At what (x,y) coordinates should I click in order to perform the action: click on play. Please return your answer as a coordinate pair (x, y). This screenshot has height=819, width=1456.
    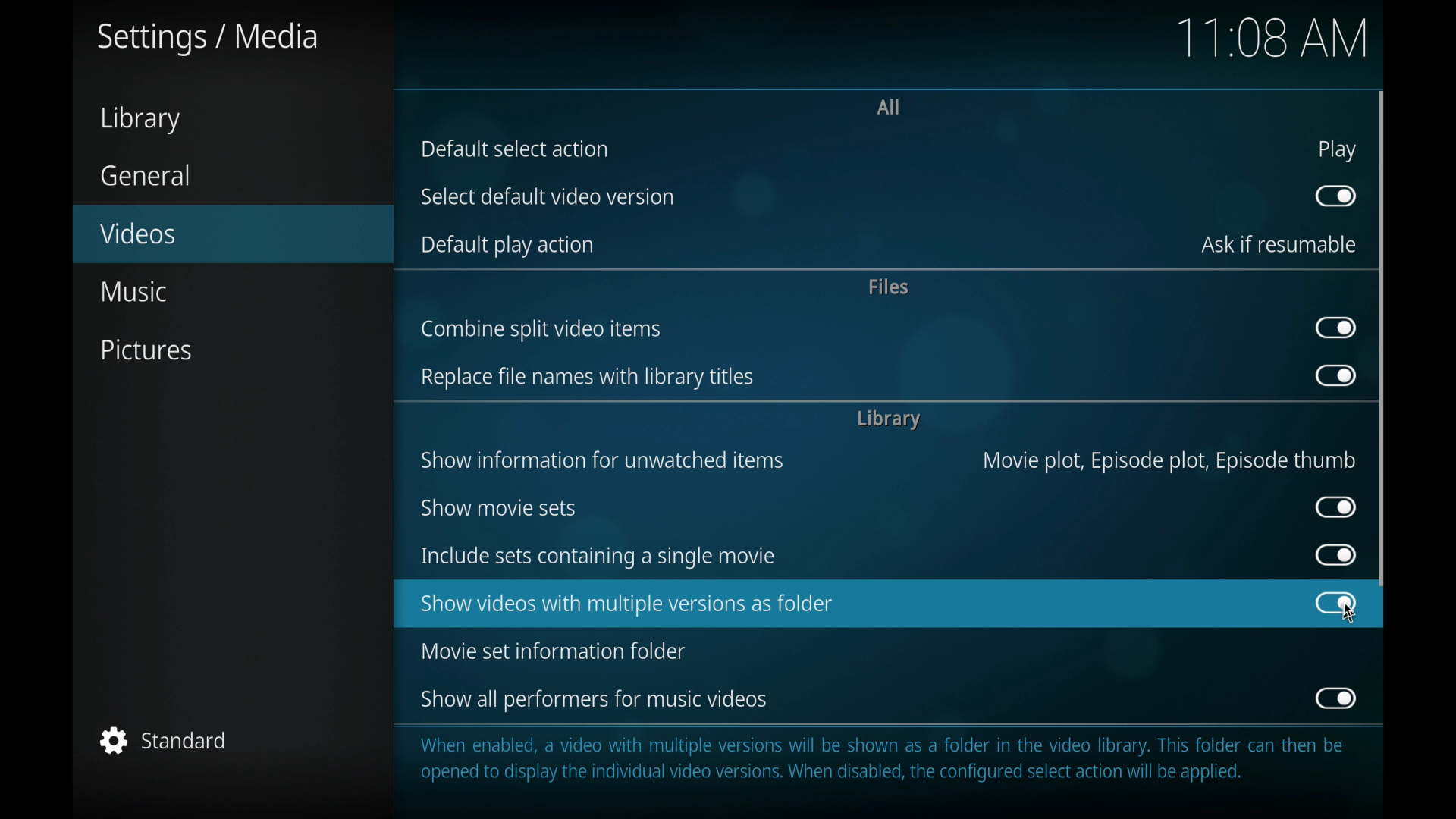
    Looking at the image, I should click on (1338, 152).